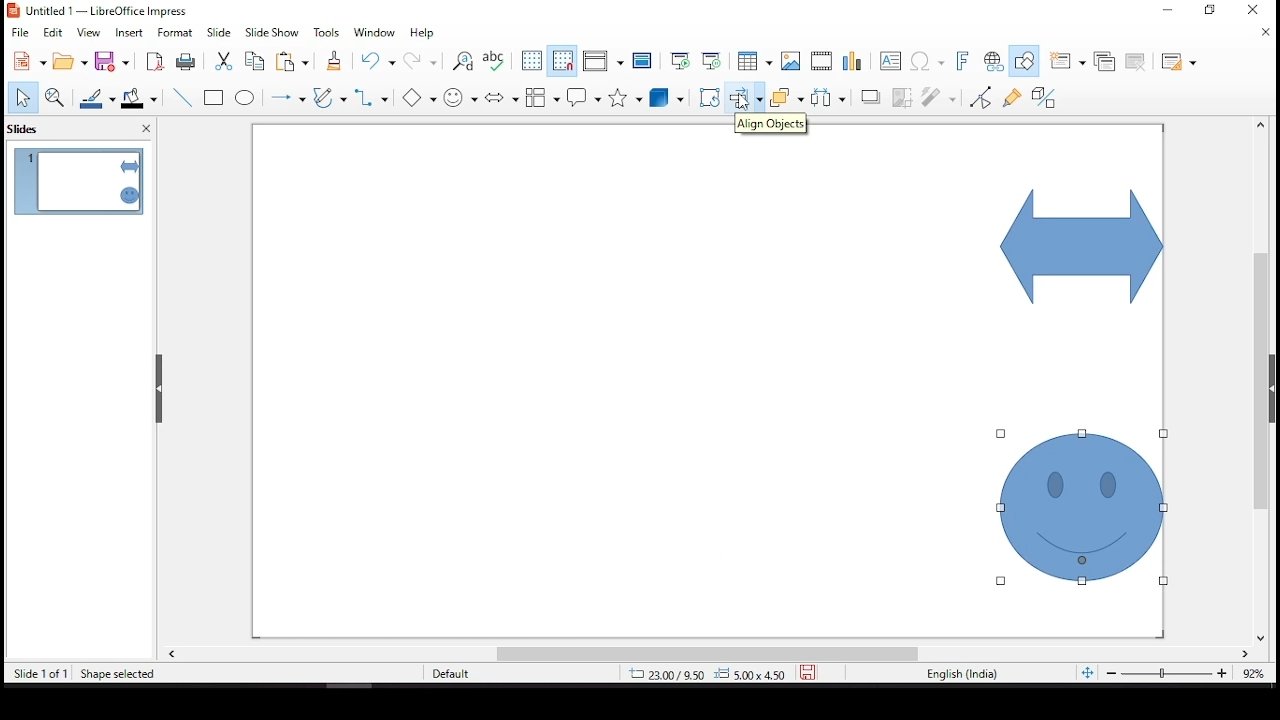 Image resolution: width=1280 pixels, height=720 pixels. Describe the element at coordinates (25, 61) in the screenshot. I see `new` at that location.